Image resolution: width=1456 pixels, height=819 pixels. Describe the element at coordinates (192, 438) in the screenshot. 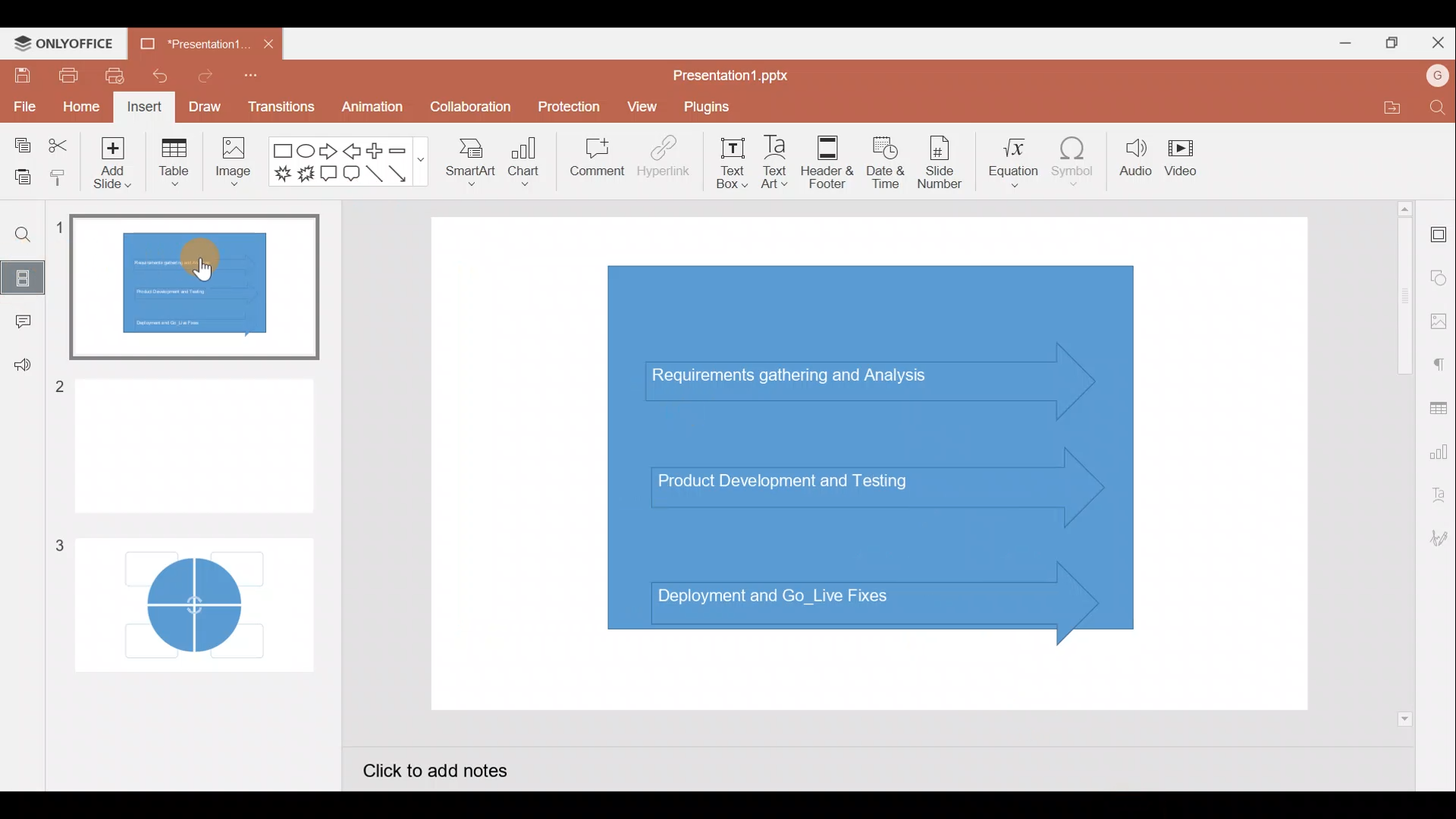

I see `Slide 2` at that location.